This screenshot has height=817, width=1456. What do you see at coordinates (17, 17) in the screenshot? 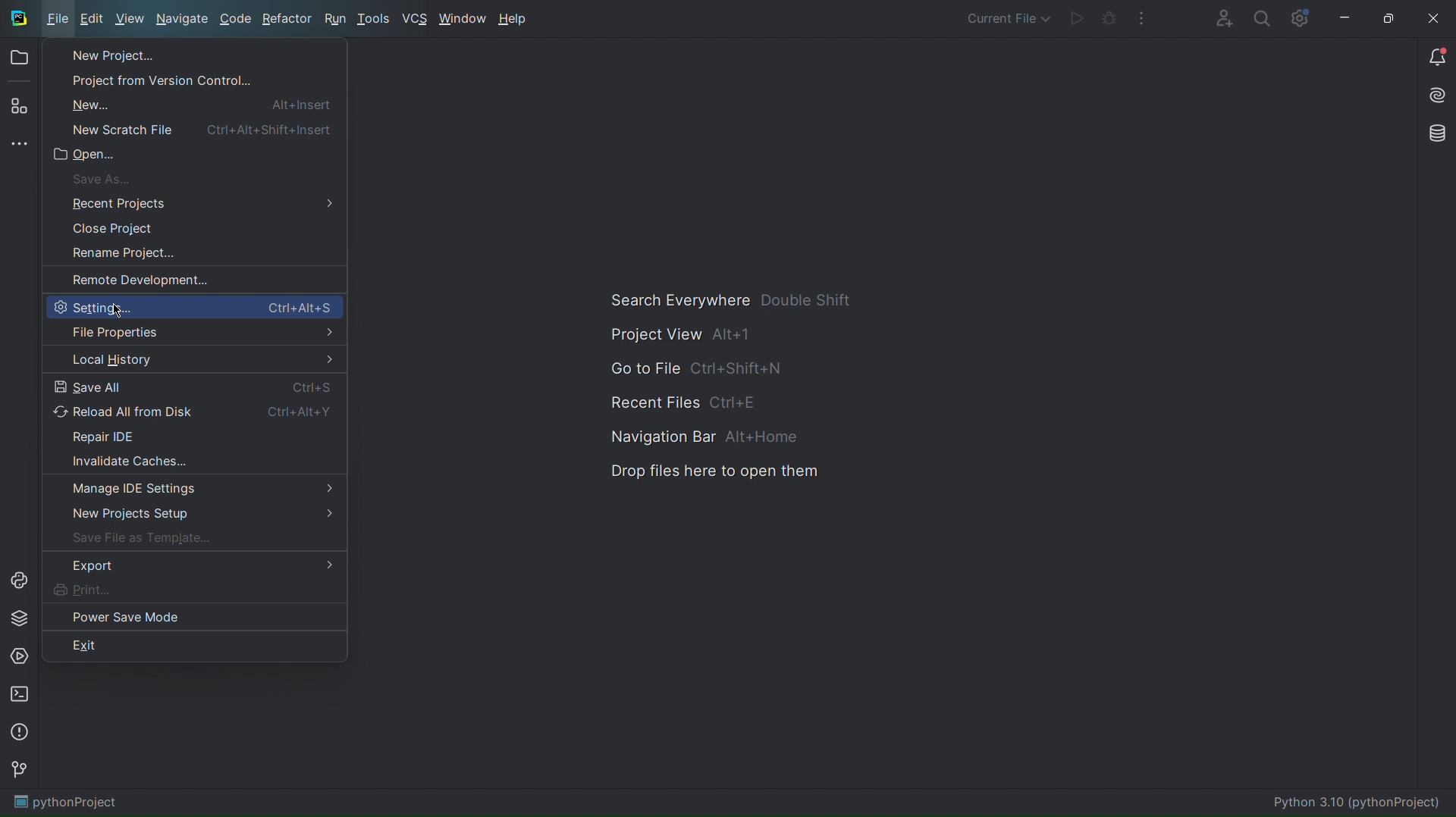
I see `Logo` at bounding box center [17, 17].